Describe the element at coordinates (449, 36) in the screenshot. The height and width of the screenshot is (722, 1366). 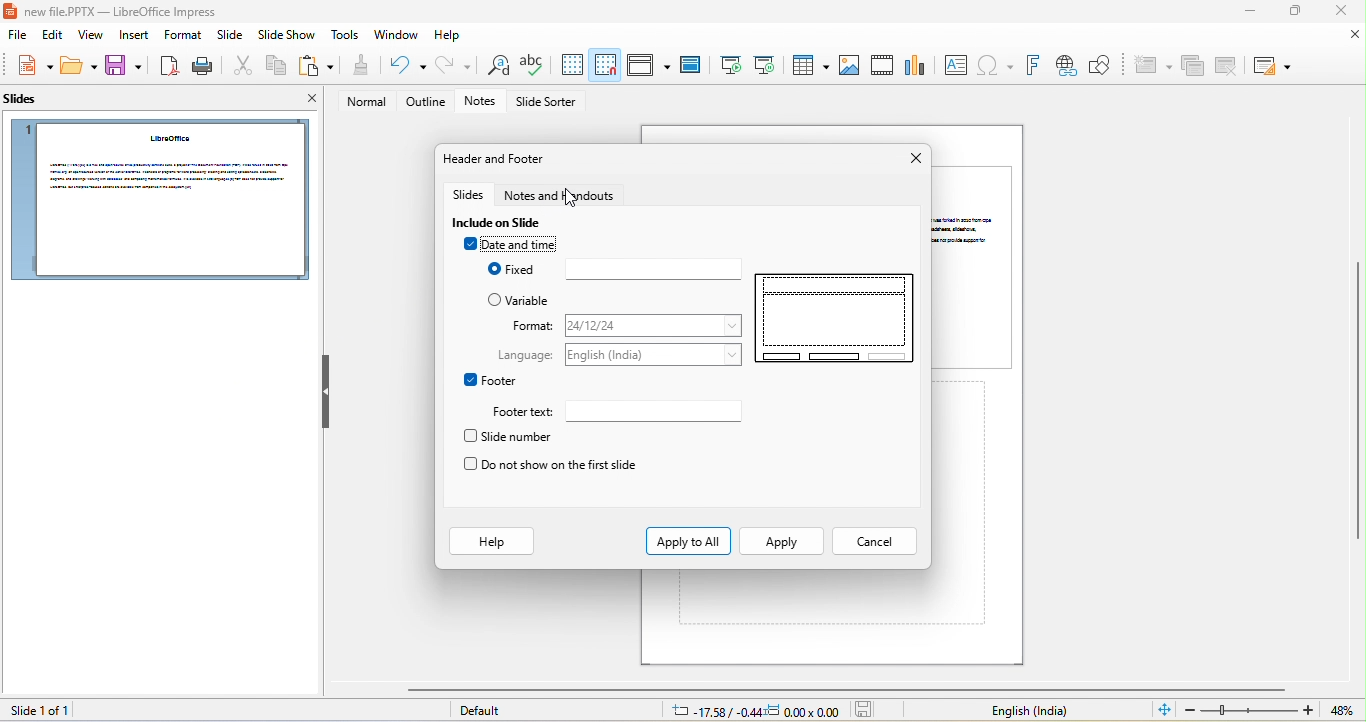
I see `help` at that location.